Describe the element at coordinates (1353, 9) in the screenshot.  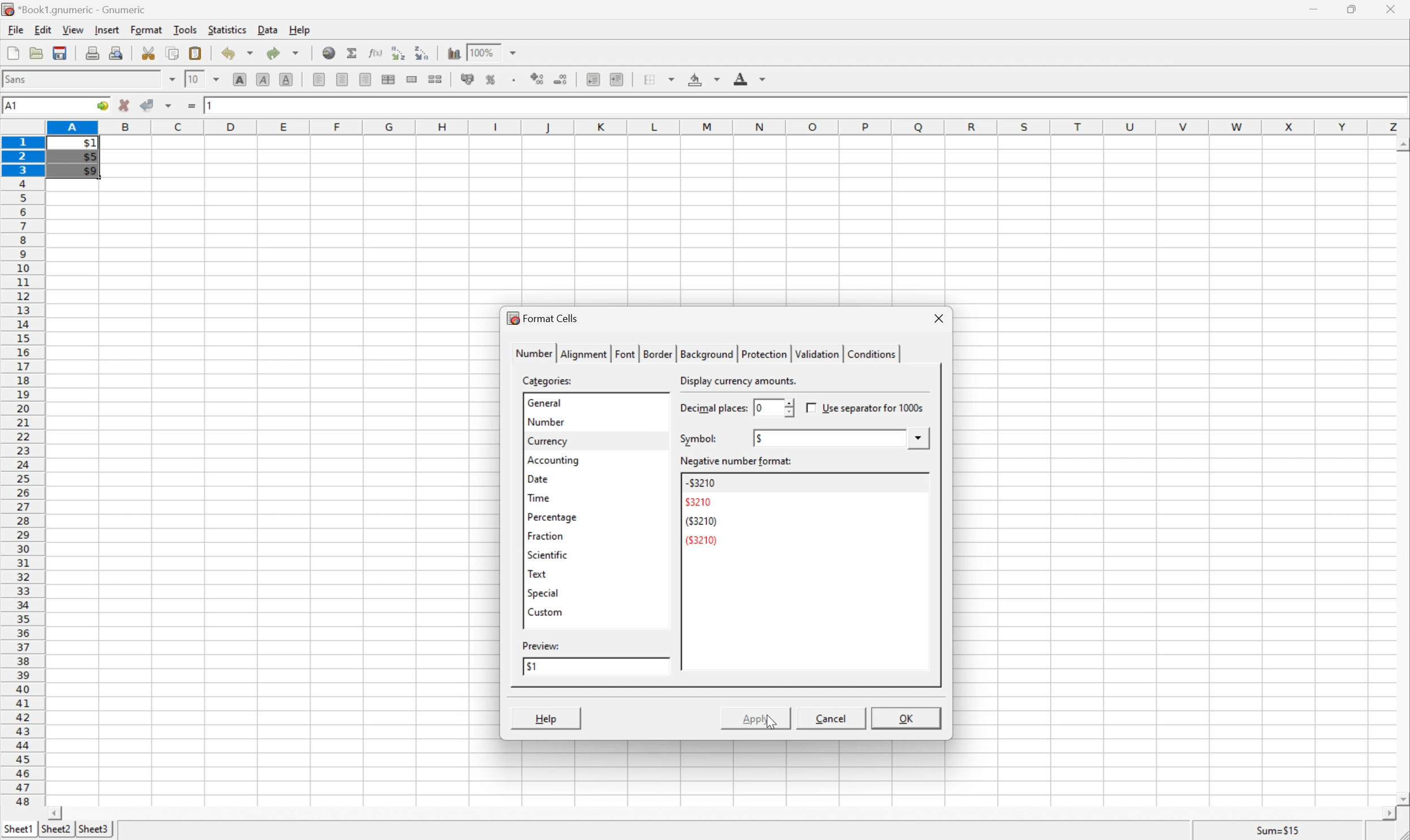
I see `restore down` at that location.